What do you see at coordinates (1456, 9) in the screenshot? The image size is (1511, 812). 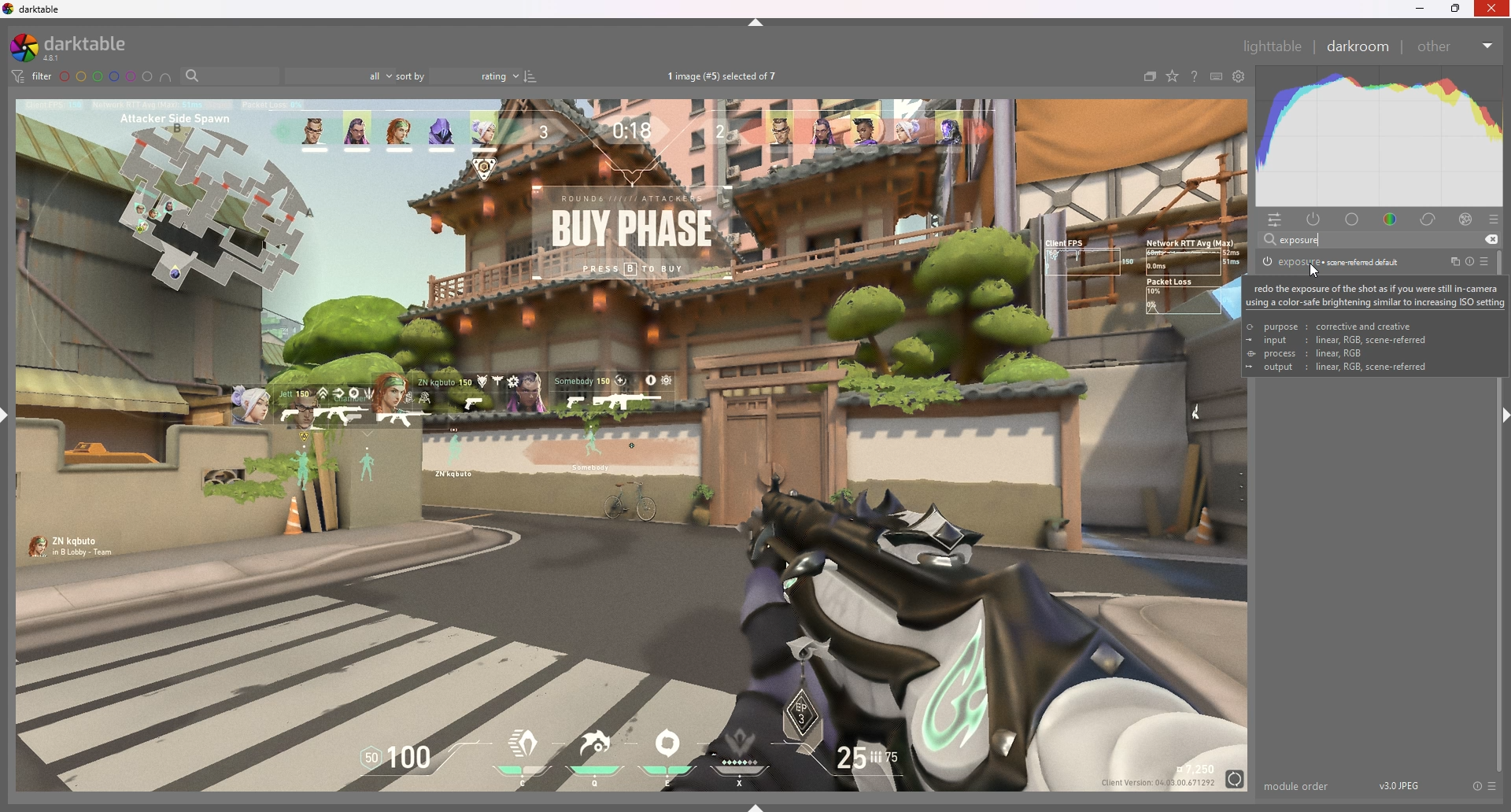 I see `resize` at bounding box center [1456, 9].